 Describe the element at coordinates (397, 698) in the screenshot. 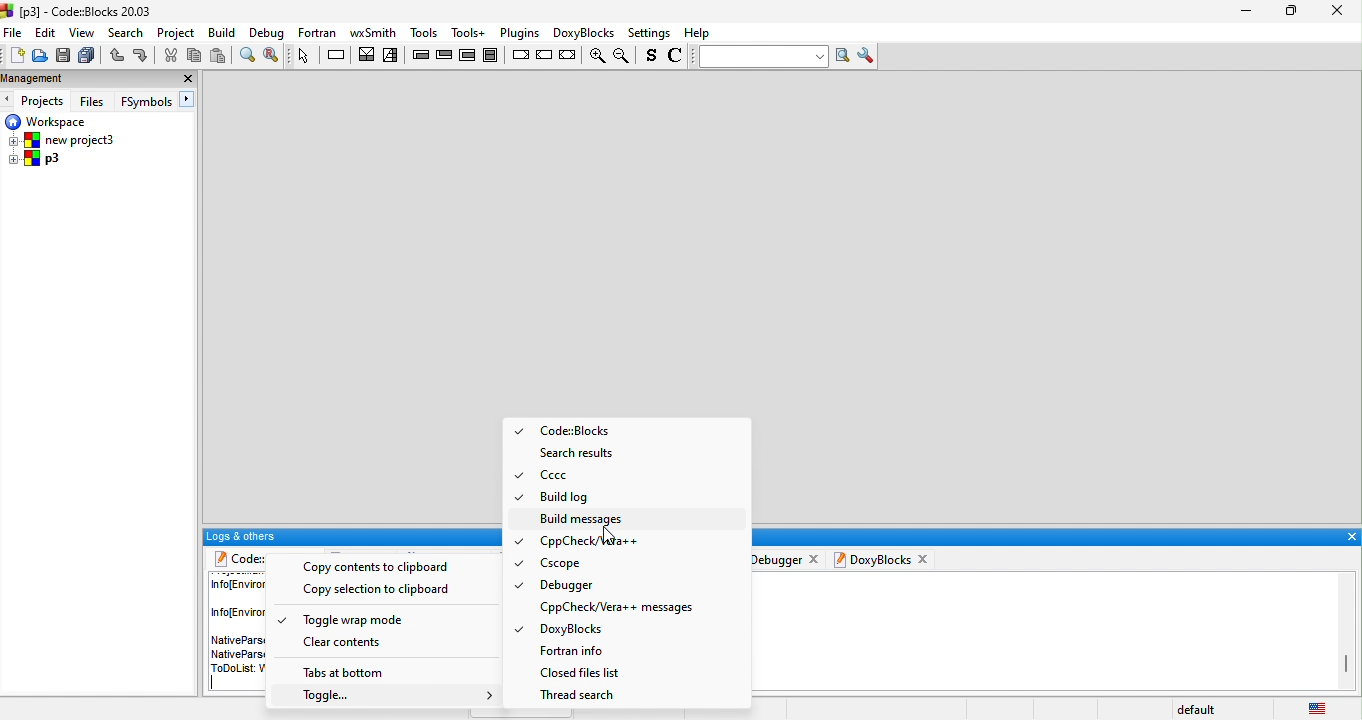

I see `toggle` at that location.